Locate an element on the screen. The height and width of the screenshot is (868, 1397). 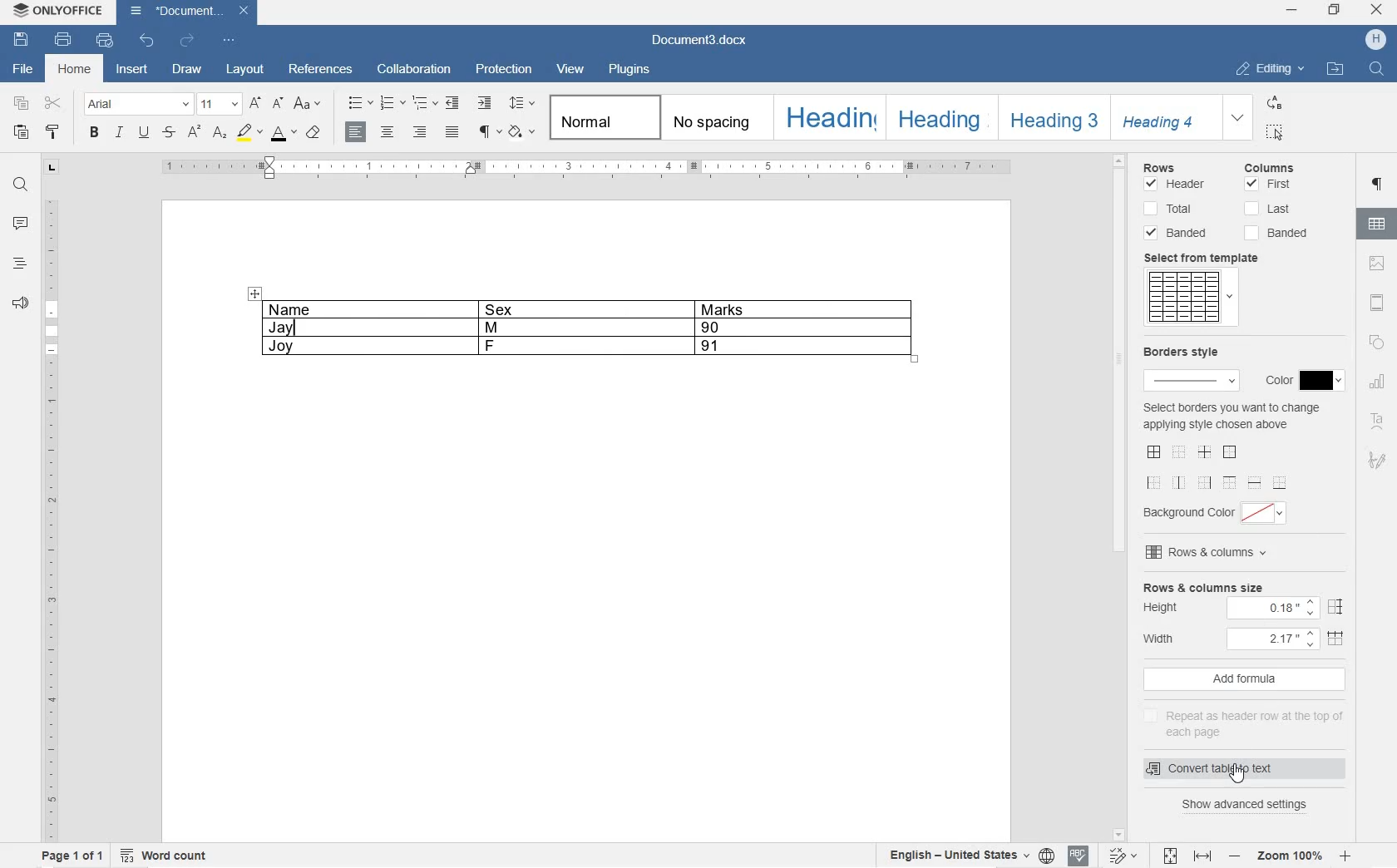
UNDO is located at coordinates (147, 42).